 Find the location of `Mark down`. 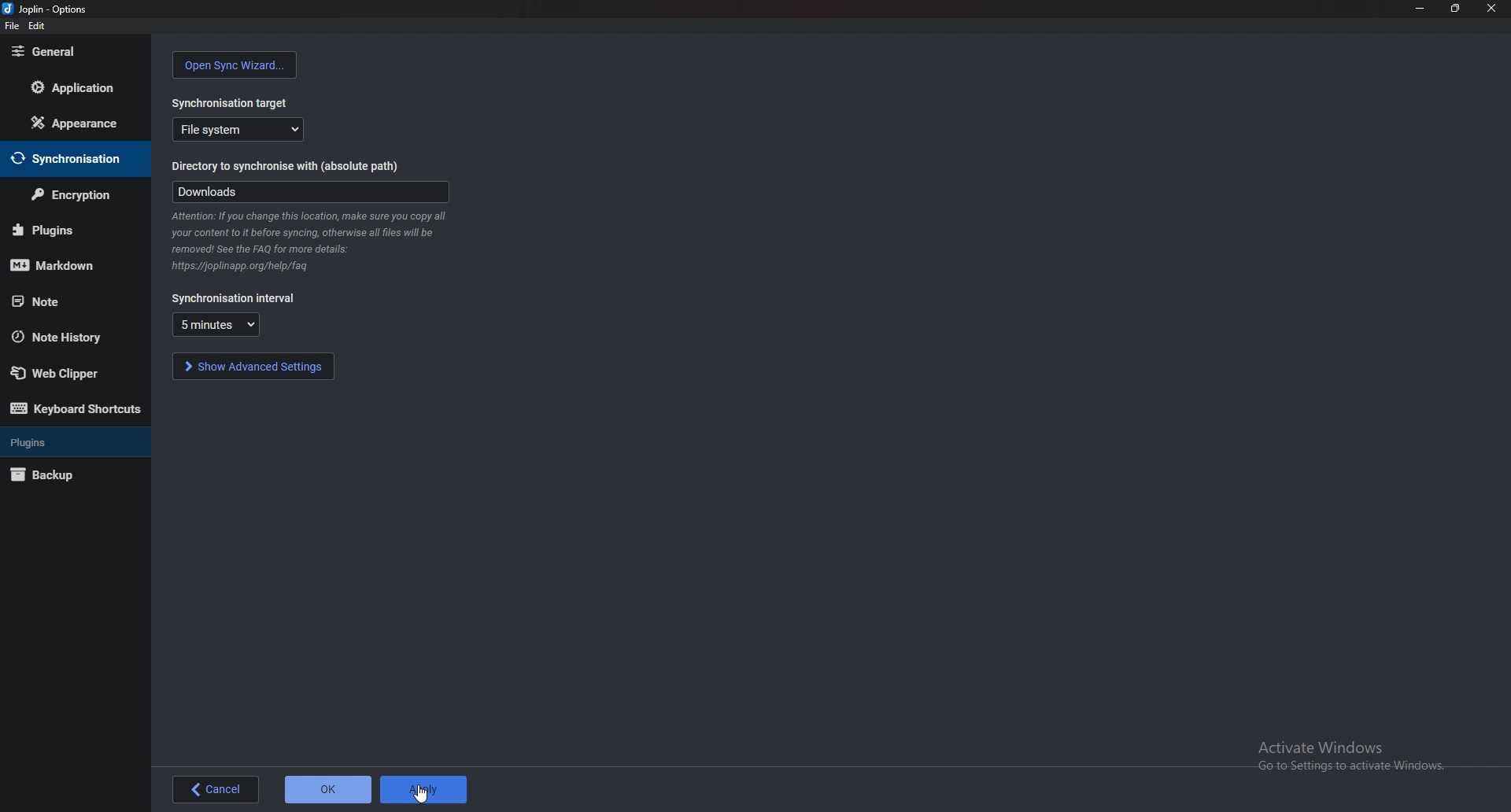

Mark down is located at coordinates (71, 264).